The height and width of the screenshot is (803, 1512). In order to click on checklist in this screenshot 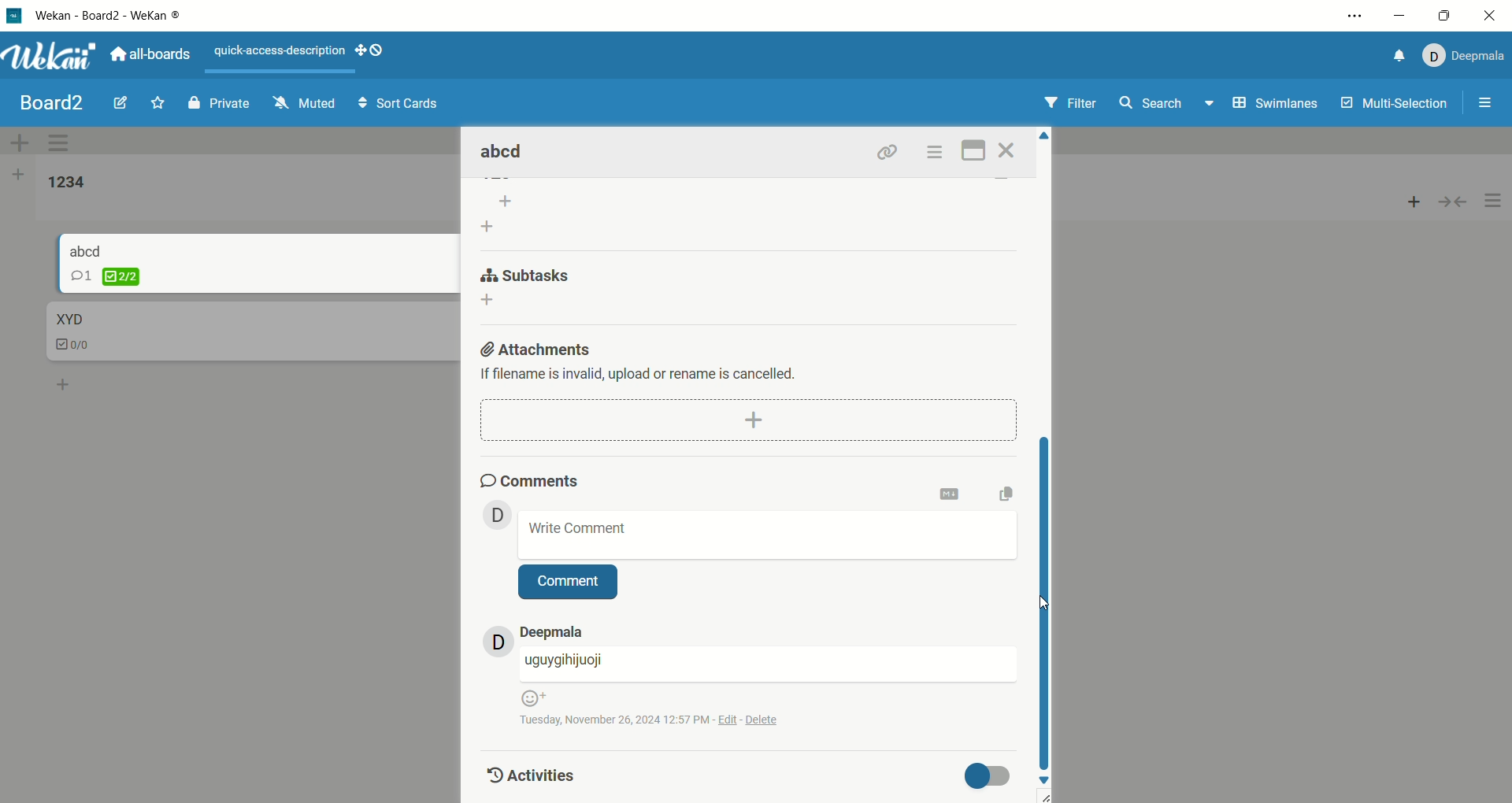, I will do `click(106, 276)`.